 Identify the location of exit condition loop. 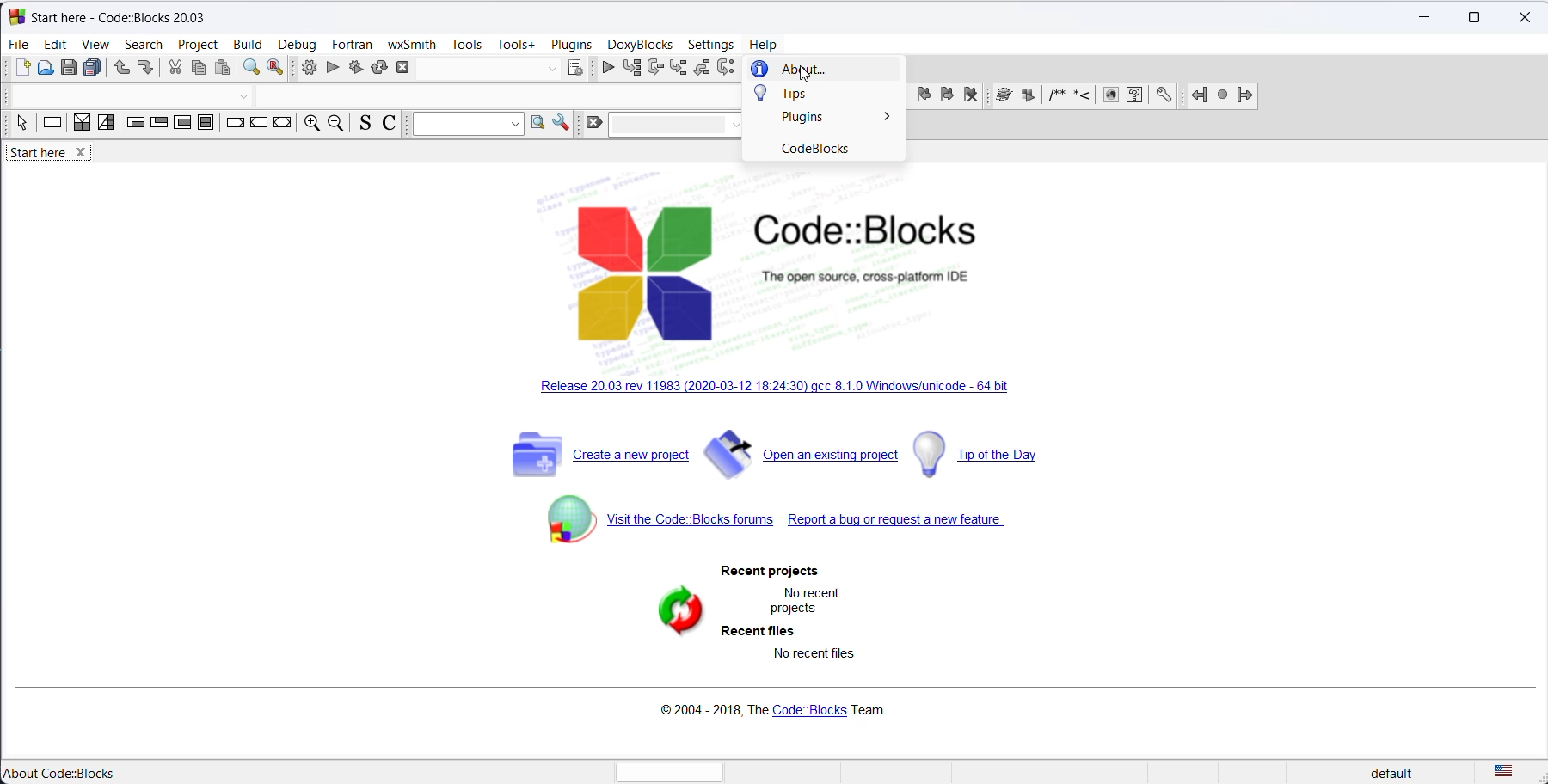
(159, 126).